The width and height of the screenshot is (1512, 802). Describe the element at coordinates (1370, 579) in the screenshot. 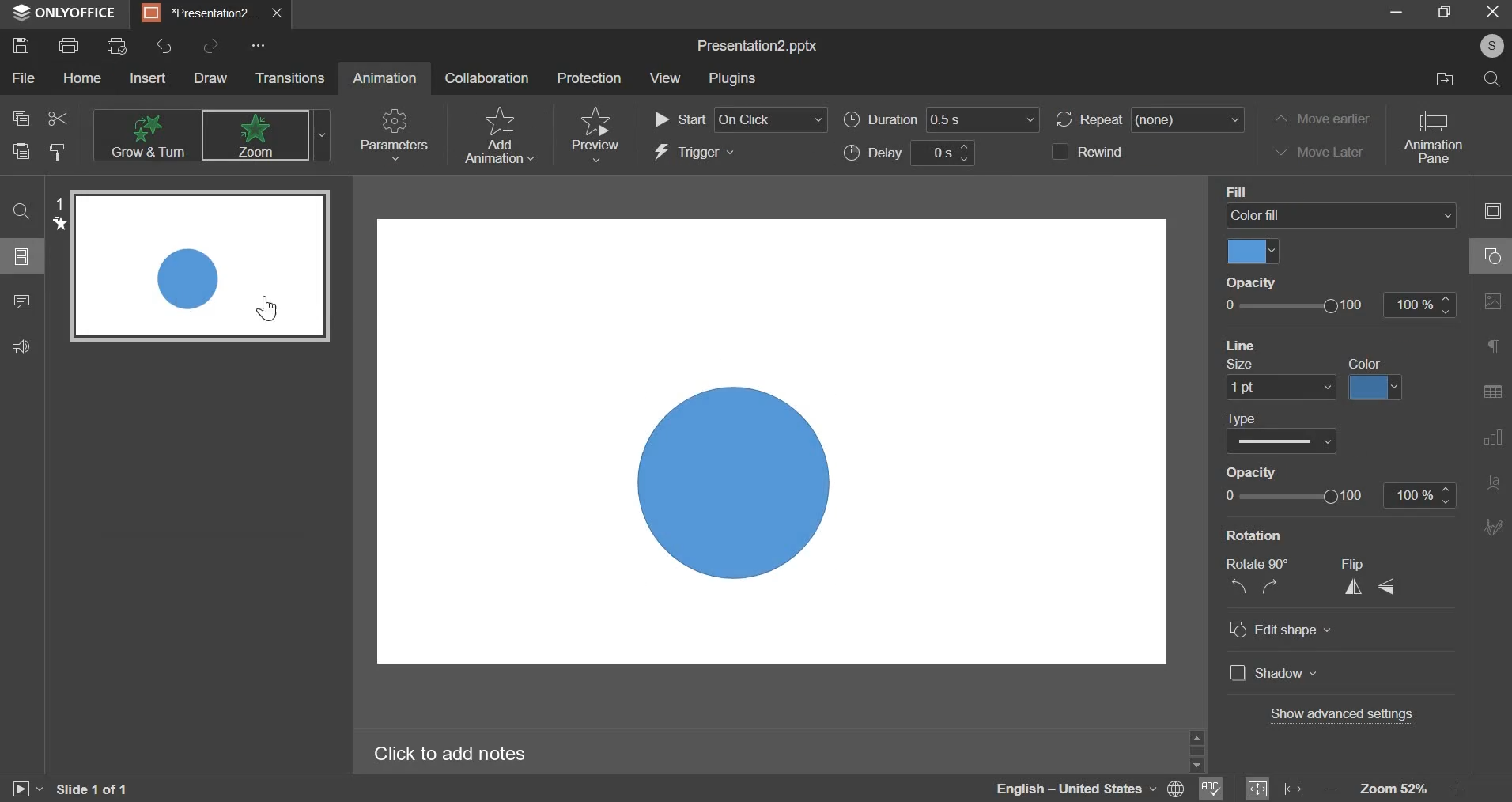

I see `flip` at that location.